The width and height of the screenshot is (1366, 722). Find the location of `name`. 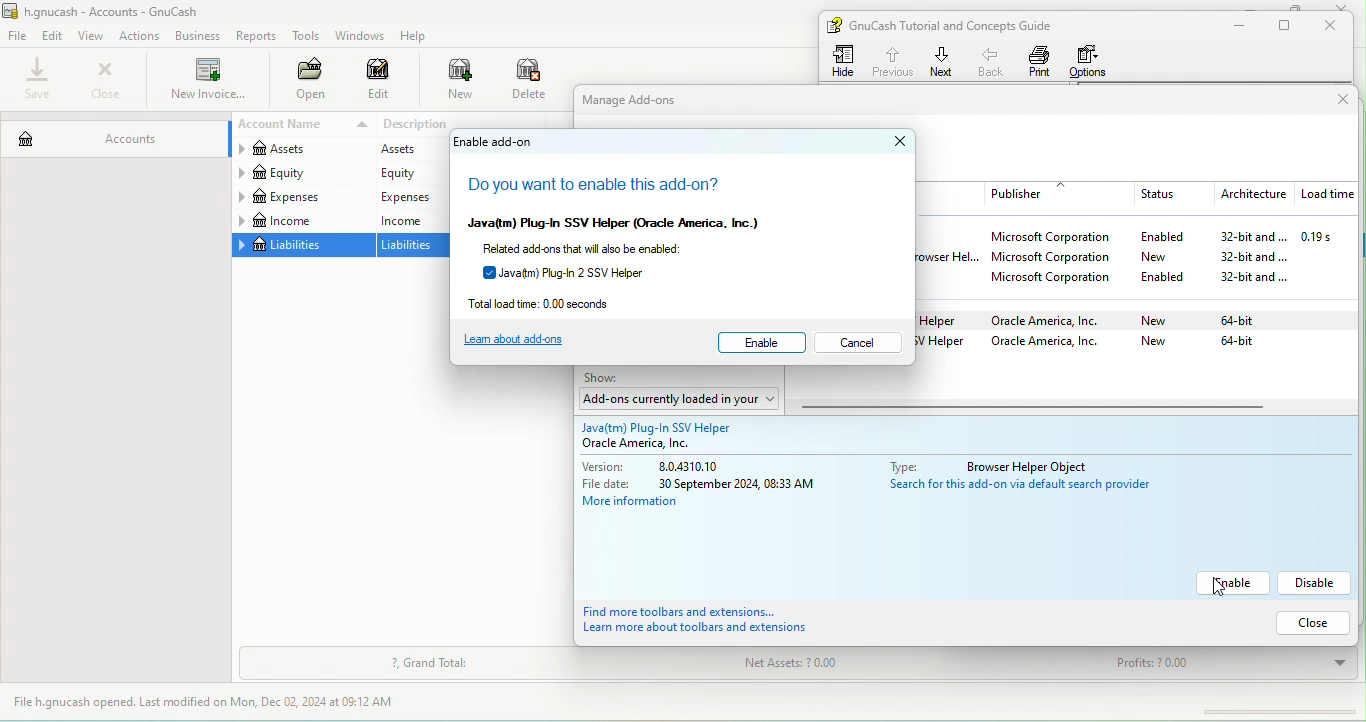

name is located at coordinates (952, 193).